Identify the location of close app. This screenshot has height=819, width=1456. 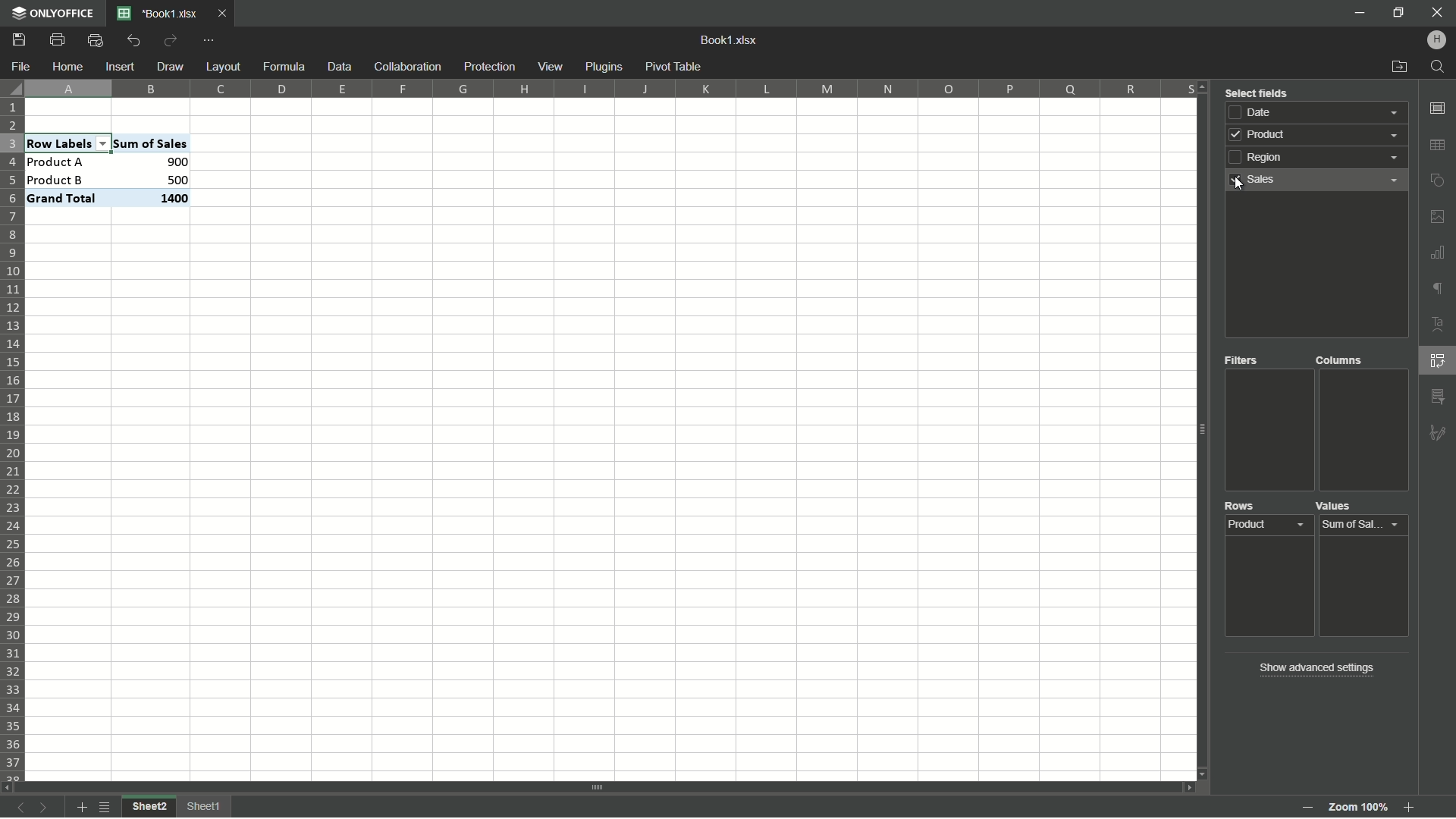
(1437, 13).